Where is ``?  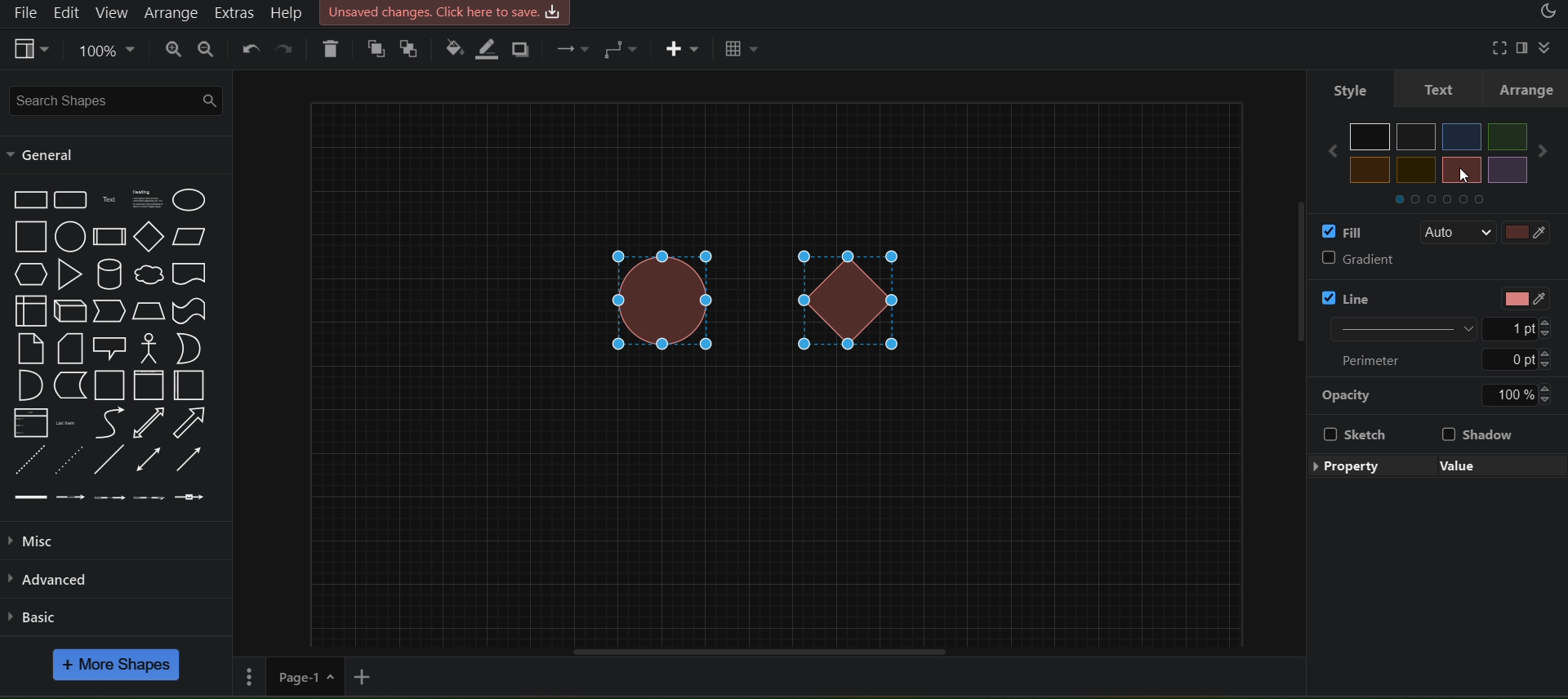  is located at coordinates (1418, 170).